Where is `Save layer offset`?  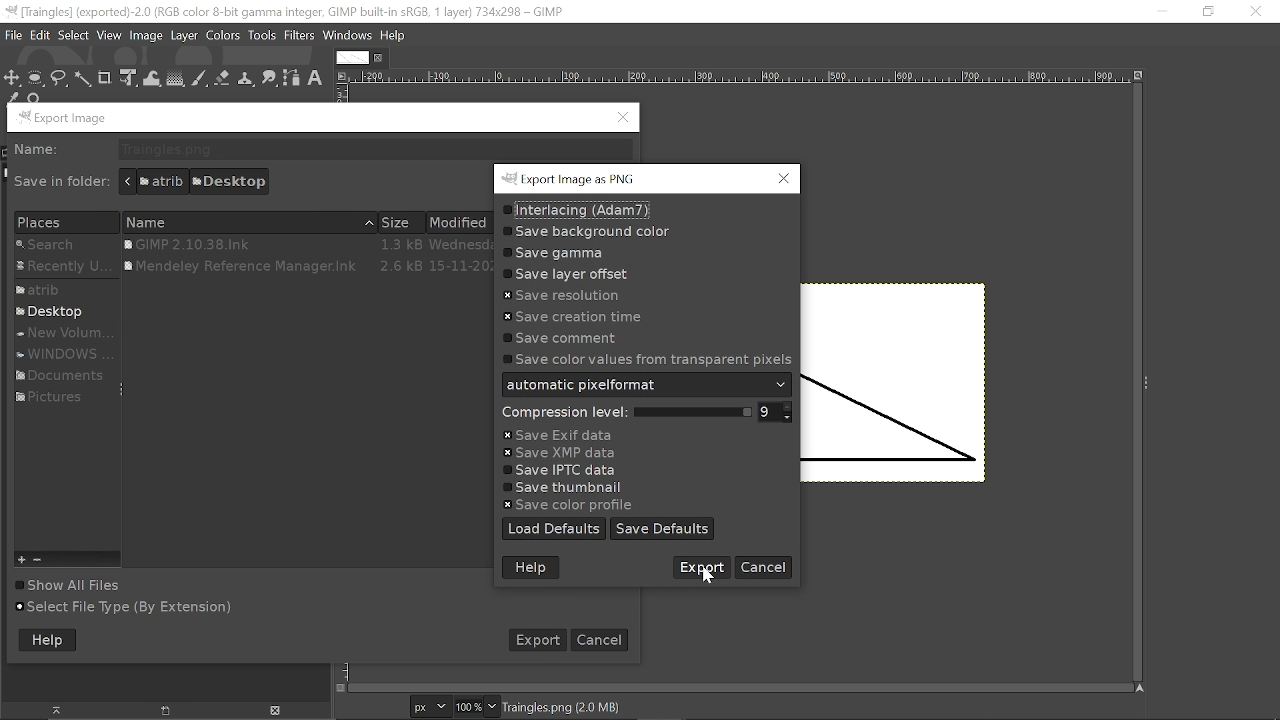
Save layer offset is located at coordinates (578, 274).